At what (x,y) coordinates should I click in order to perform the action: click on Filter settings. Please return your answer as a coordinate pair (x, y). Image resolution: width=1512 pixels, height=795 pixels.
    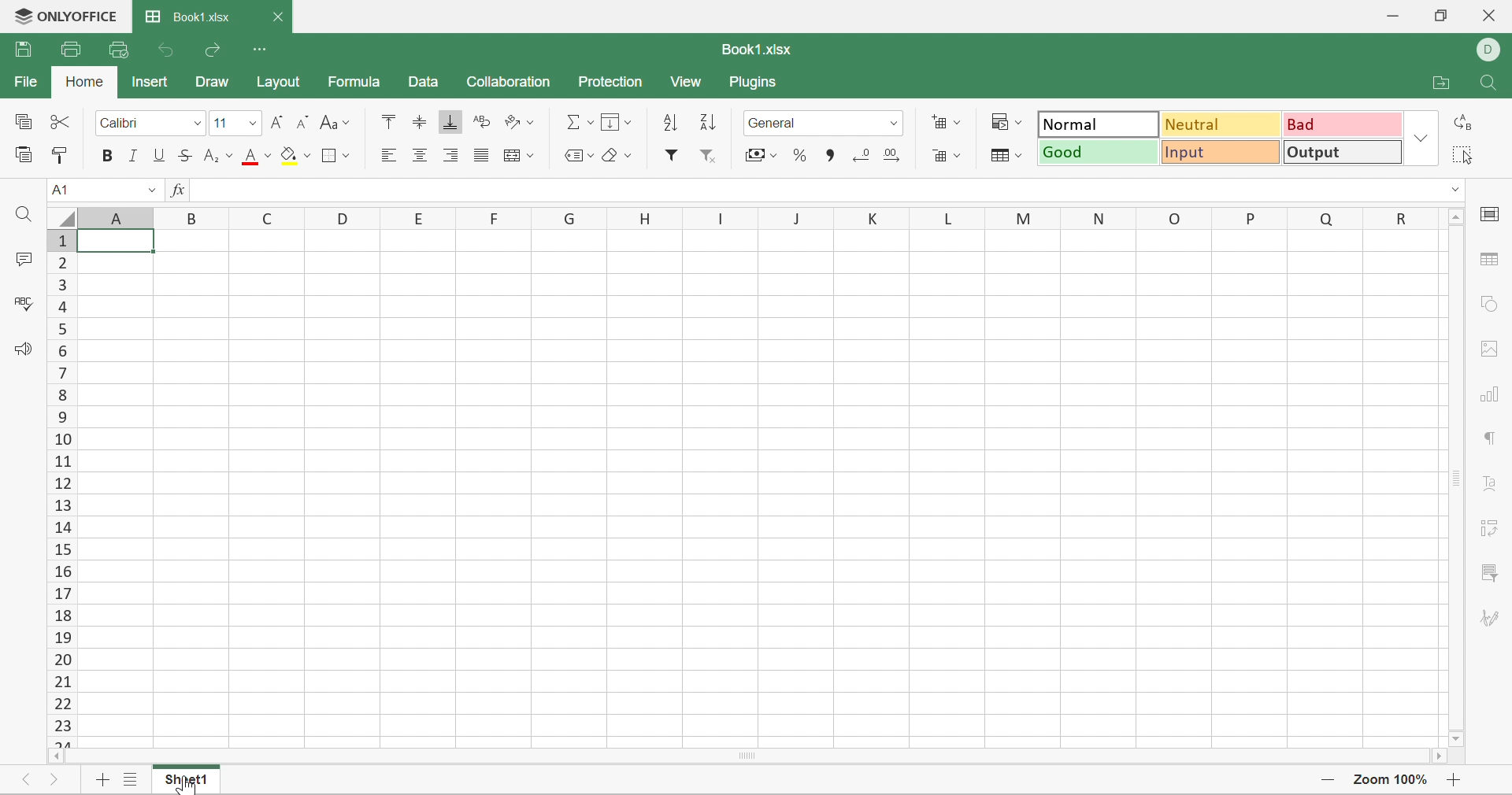
    Looking at the image, I should click on (1491, 571).